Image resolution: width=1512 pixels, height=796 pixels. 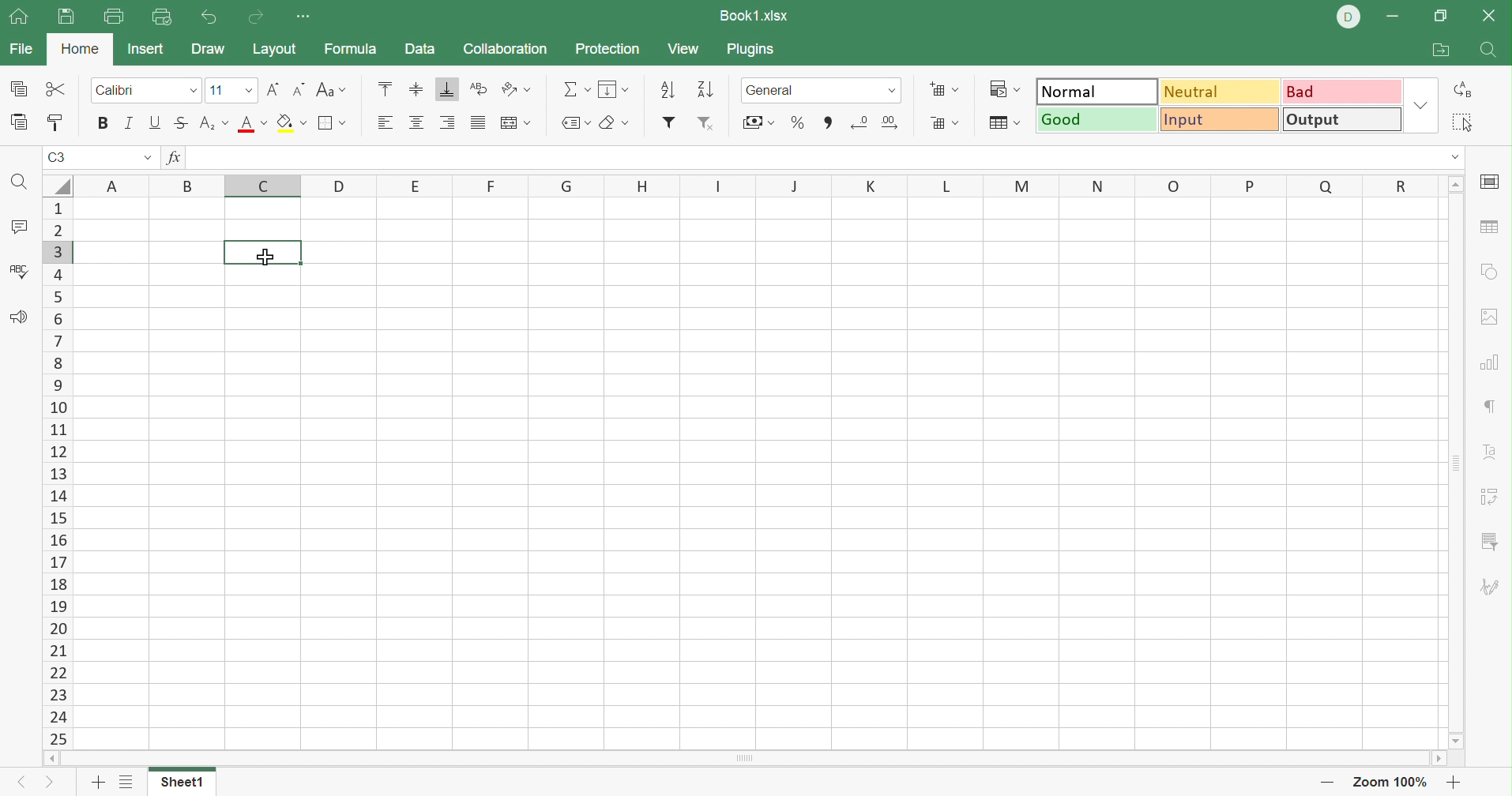 I want to click on Spell checking, so click(x=19, y=273).